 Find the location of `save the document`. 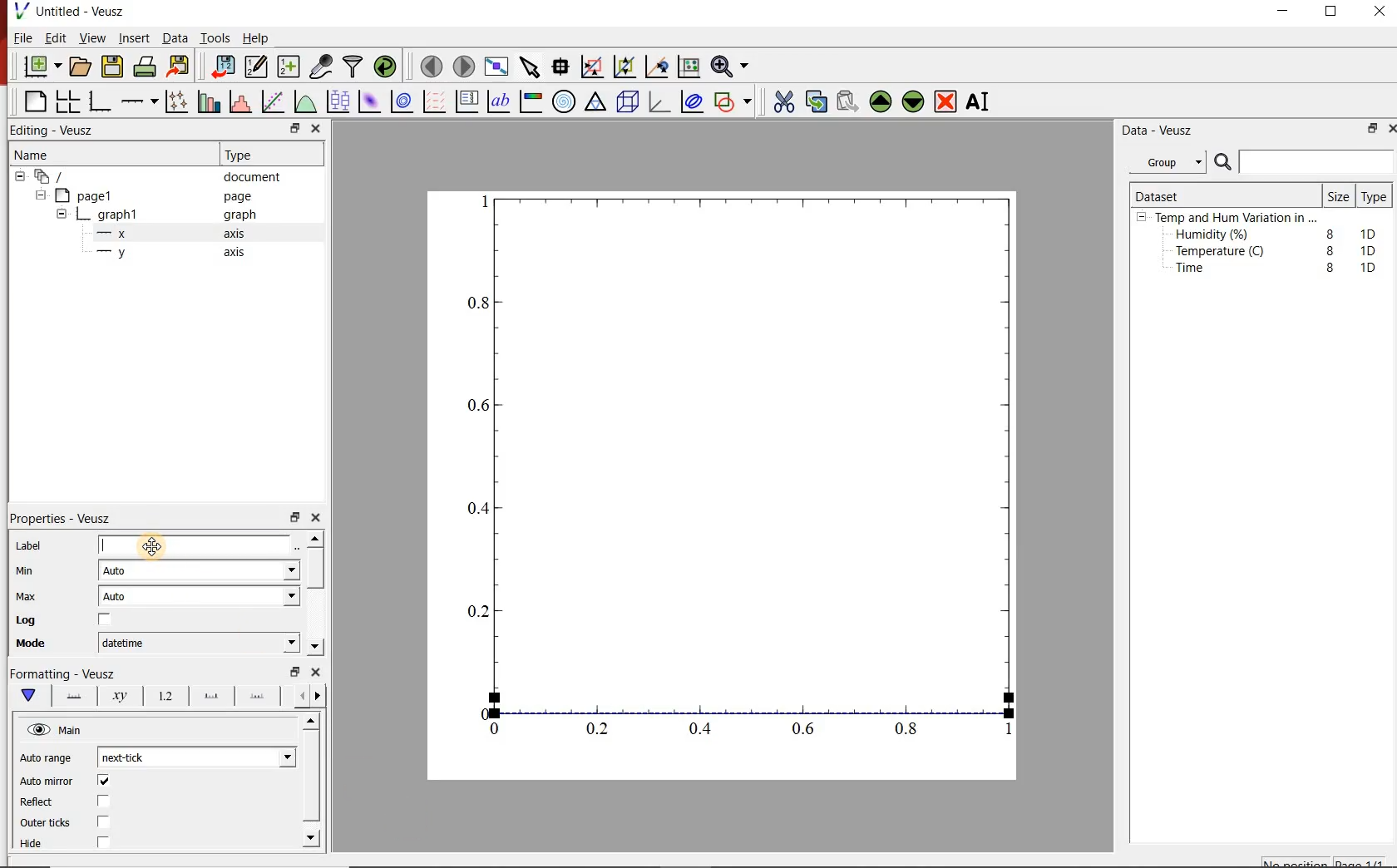

save the document is located at coordinates (113, 67).